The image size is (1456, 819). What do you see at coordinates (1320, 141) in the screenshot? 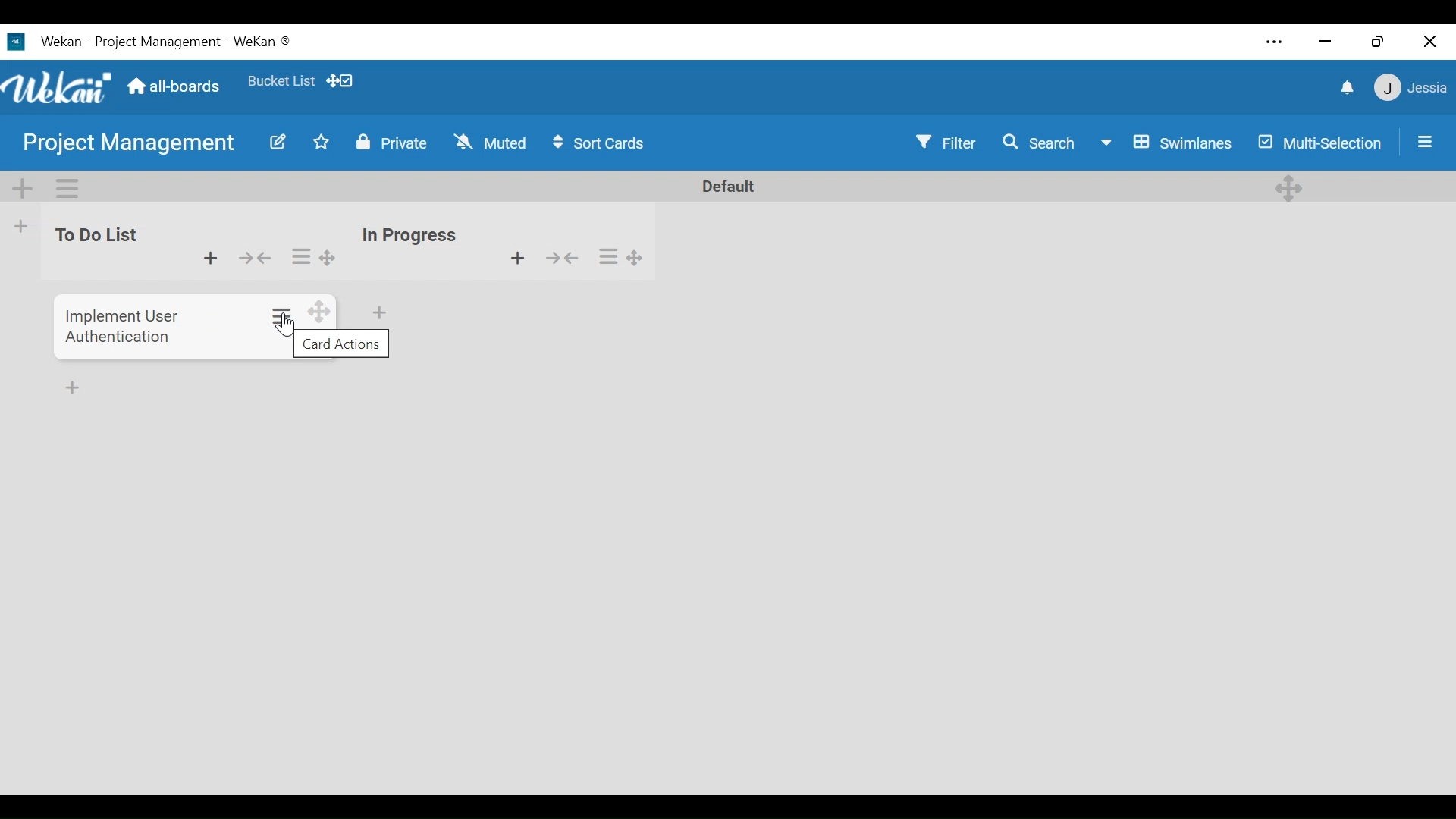
I see `Multi-Selection` at bounding box center [1320, 141].